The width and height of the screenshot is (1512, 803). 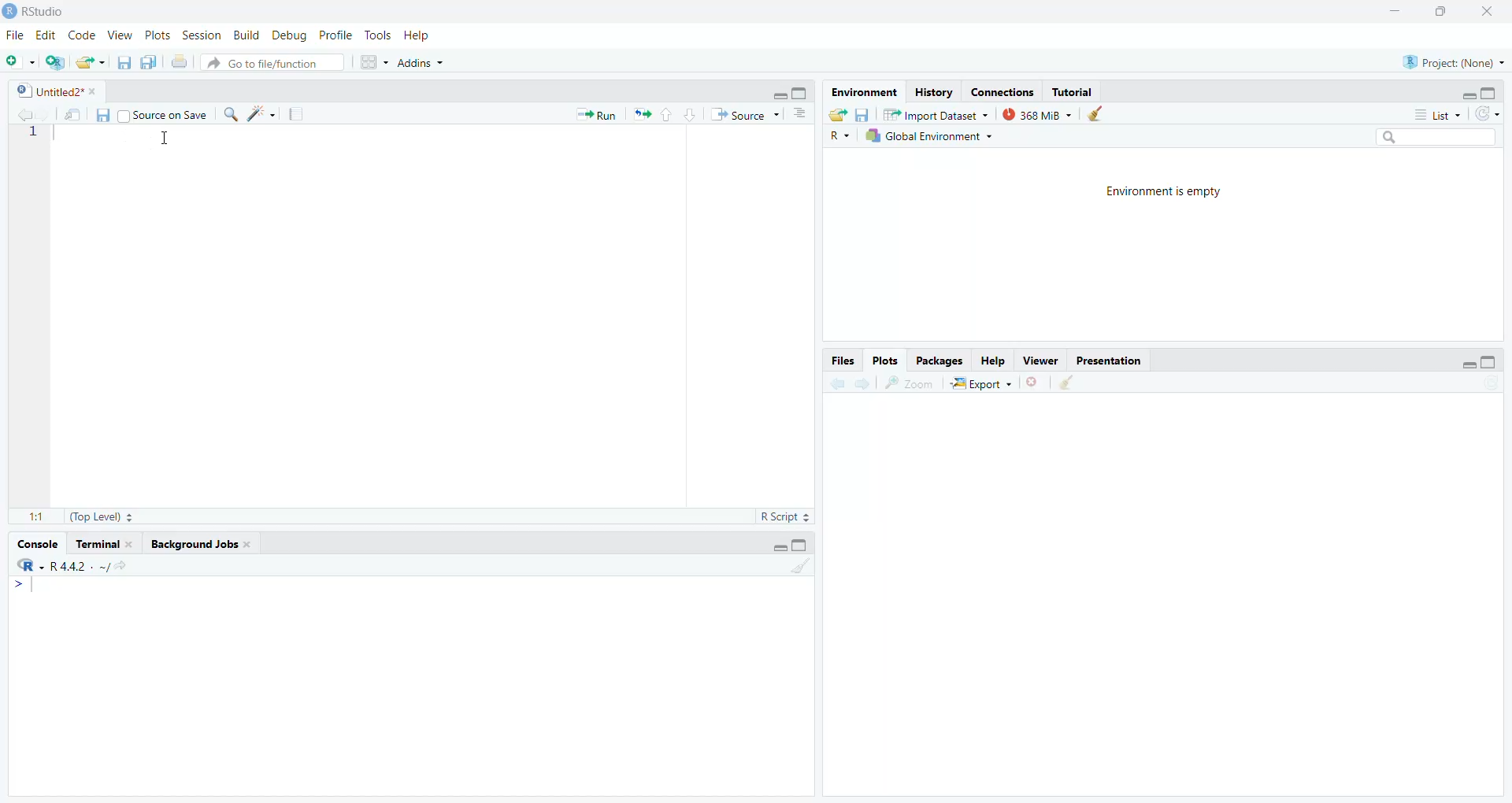 What do you see at coordinates (786, 516) in the screenshot?
I see `R Script =` at bounding box center [786, 516].